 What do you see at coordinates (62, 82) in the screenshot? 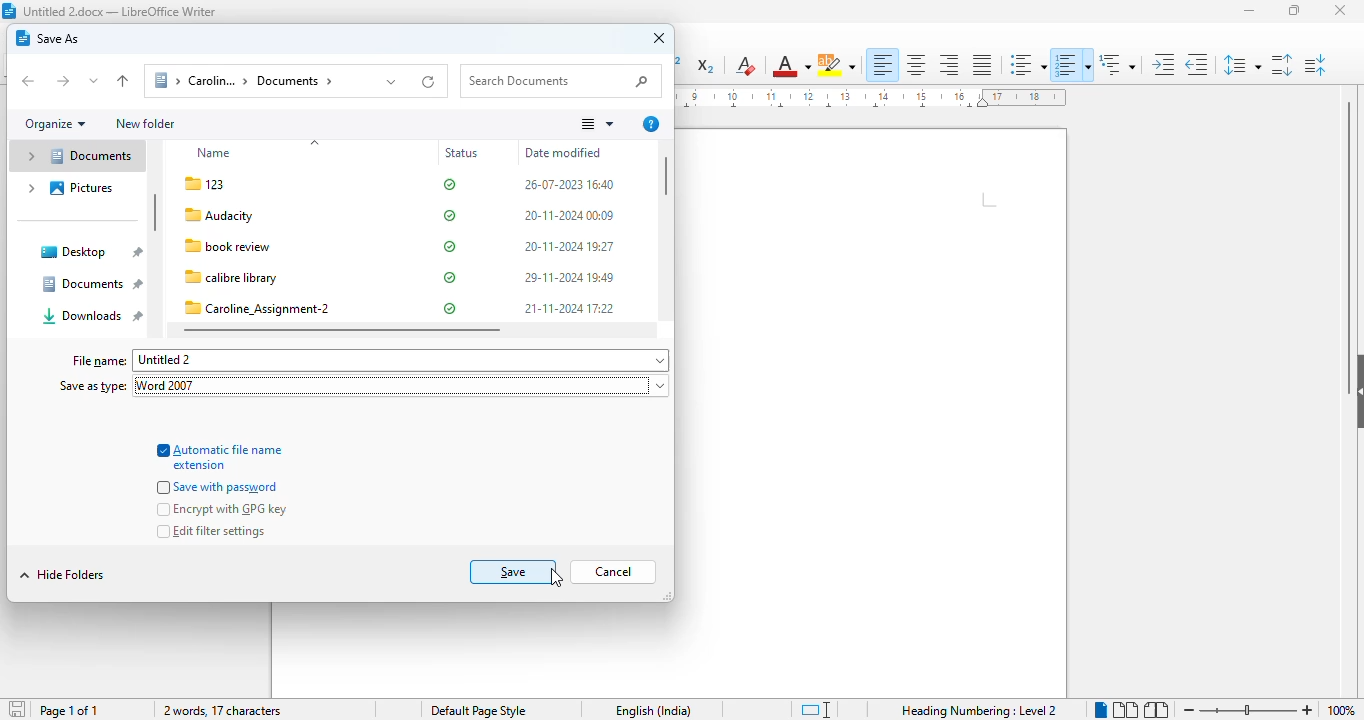
I see `forward` at bounding box center [62, 82].